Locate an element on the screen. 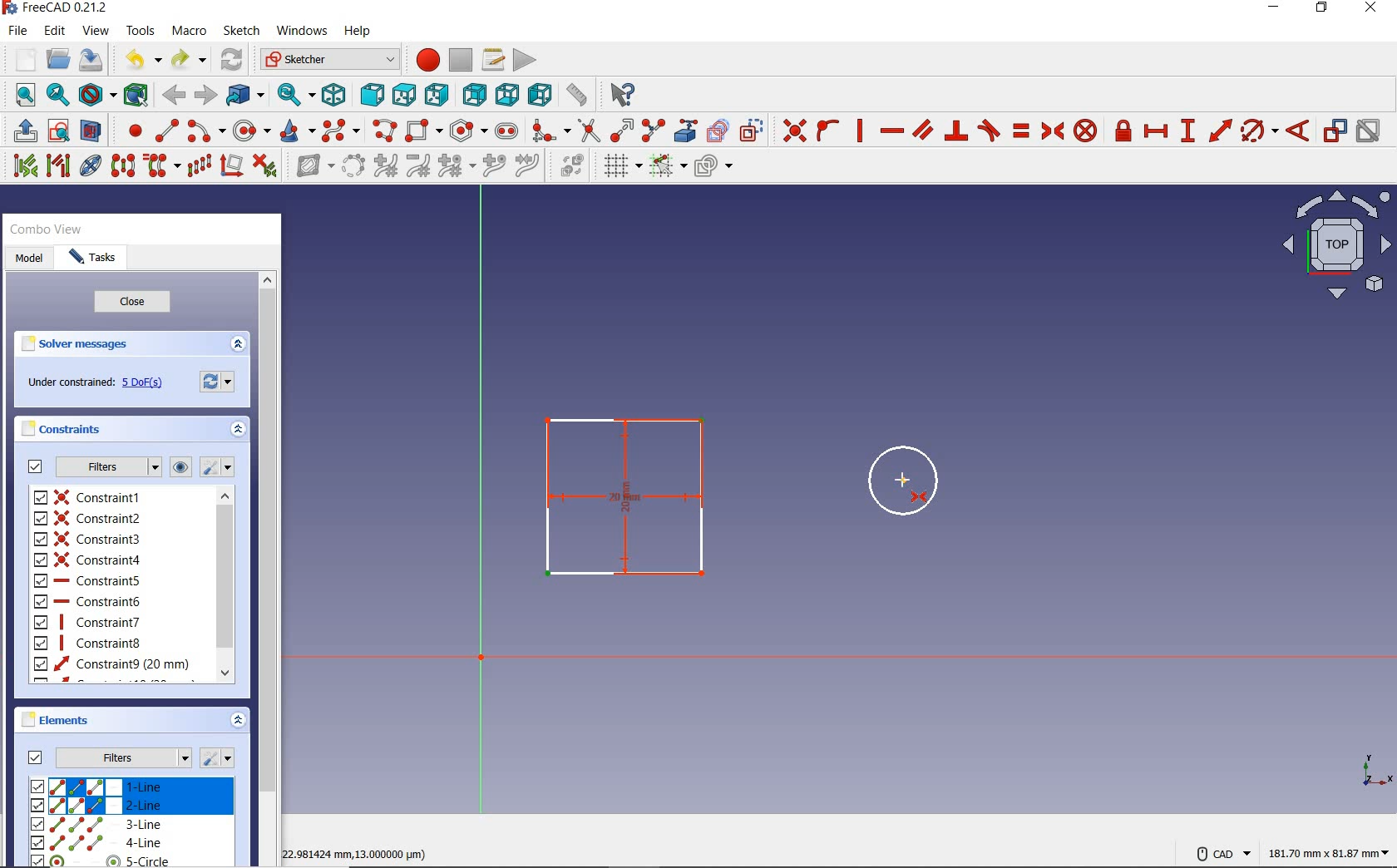 This screenshot has height=868, width=1397. under constrained:  is located at coordinates (72, 384).